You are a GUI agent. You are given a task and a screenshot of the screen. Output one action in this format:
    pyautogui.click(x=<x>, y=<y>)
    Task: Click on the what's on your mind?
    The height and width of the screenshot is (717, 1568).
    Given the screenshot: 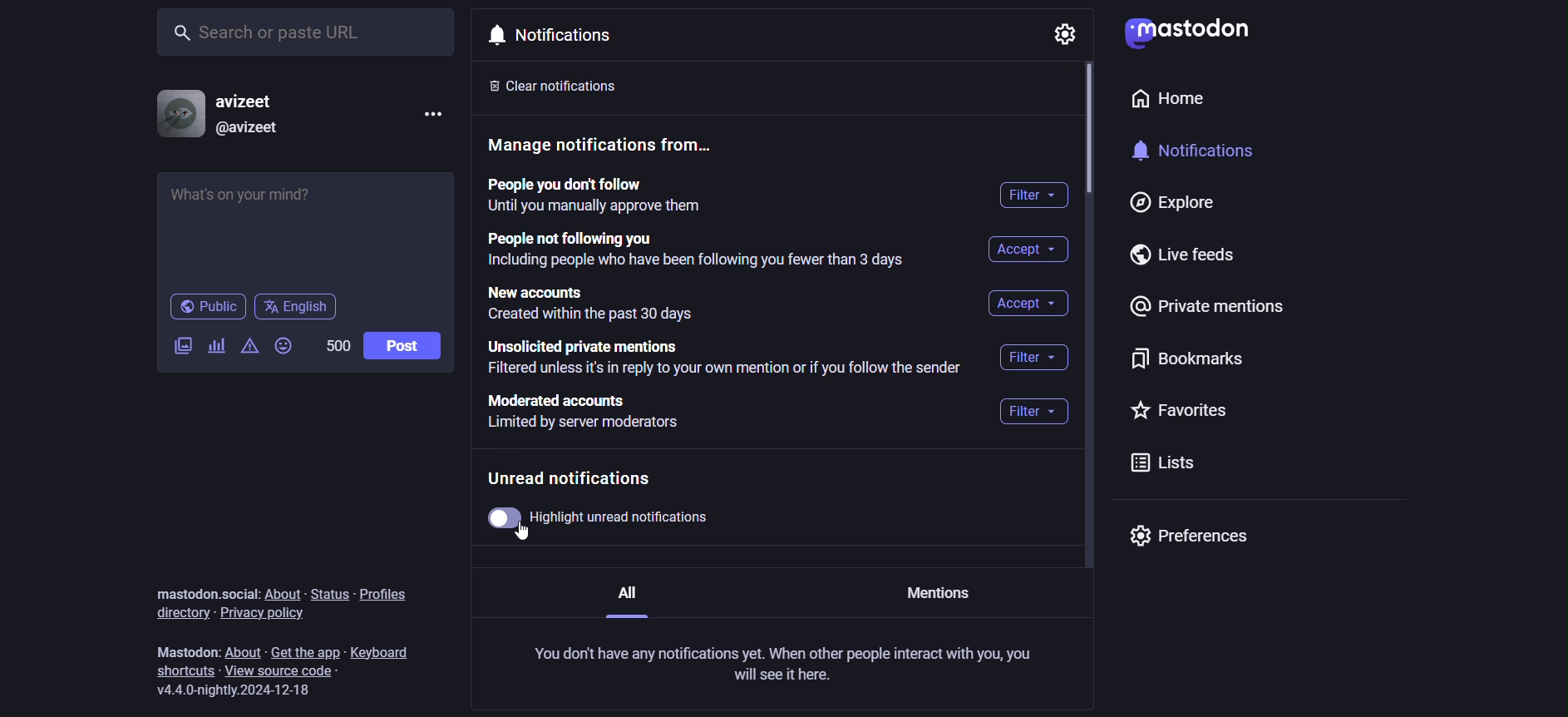 What is the action you would take?
    pyautogui.click(x=300, y=229)
    